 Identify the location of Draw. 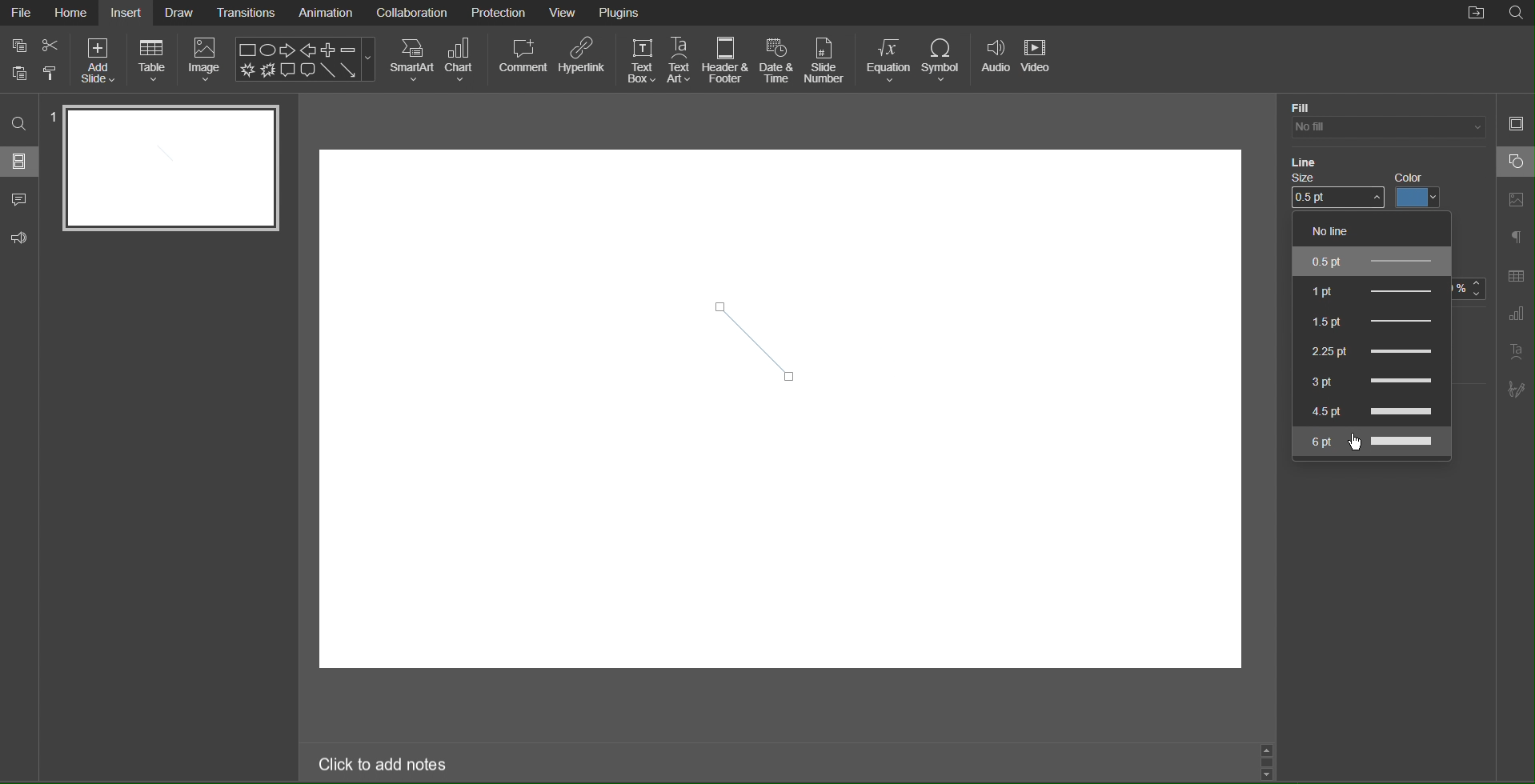
(180, 13).